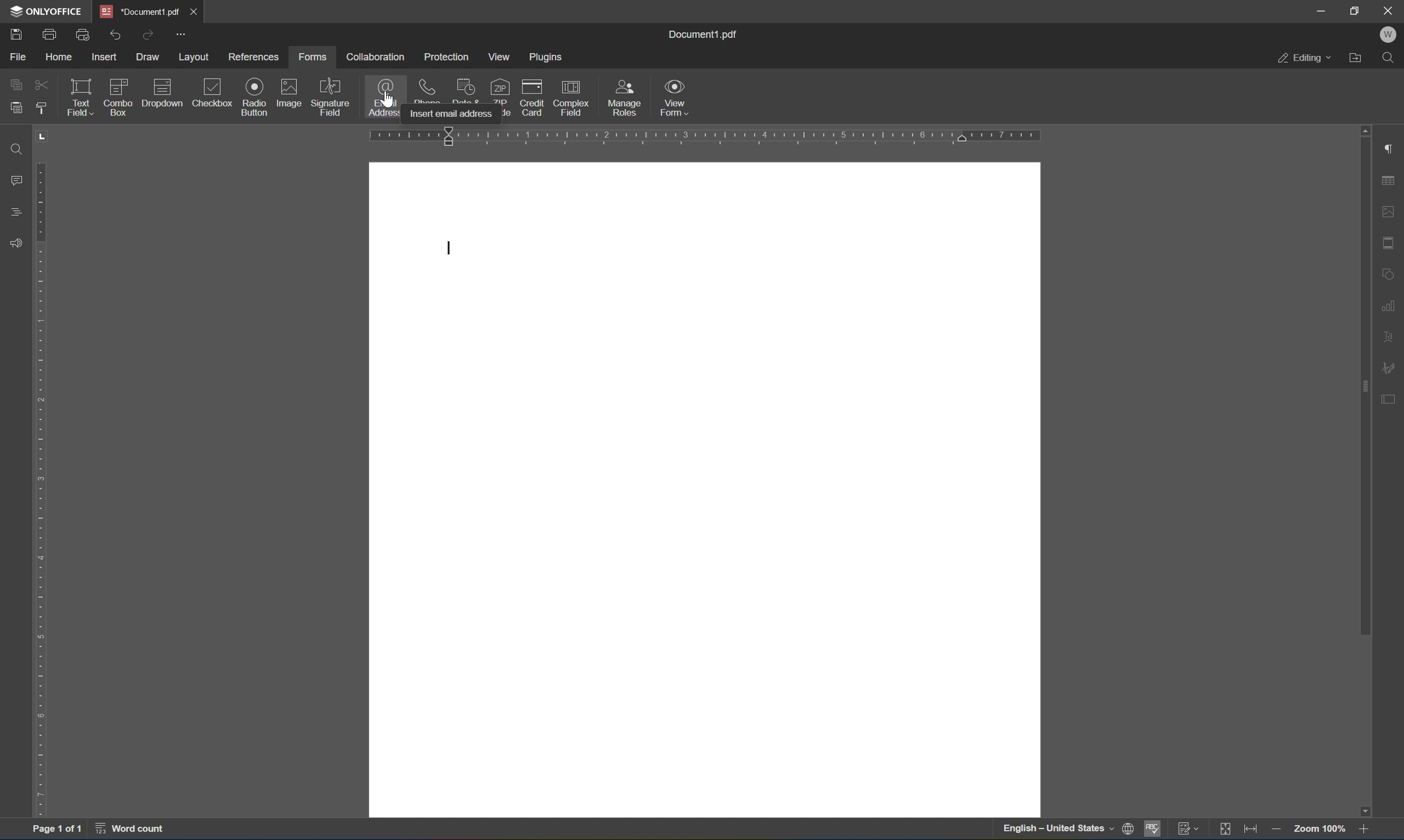 The image size is (1404, 840). What do you see at coordinates (1391, 176) in the screenshot?
I see `table settings` at bounding box center [1391, 176].